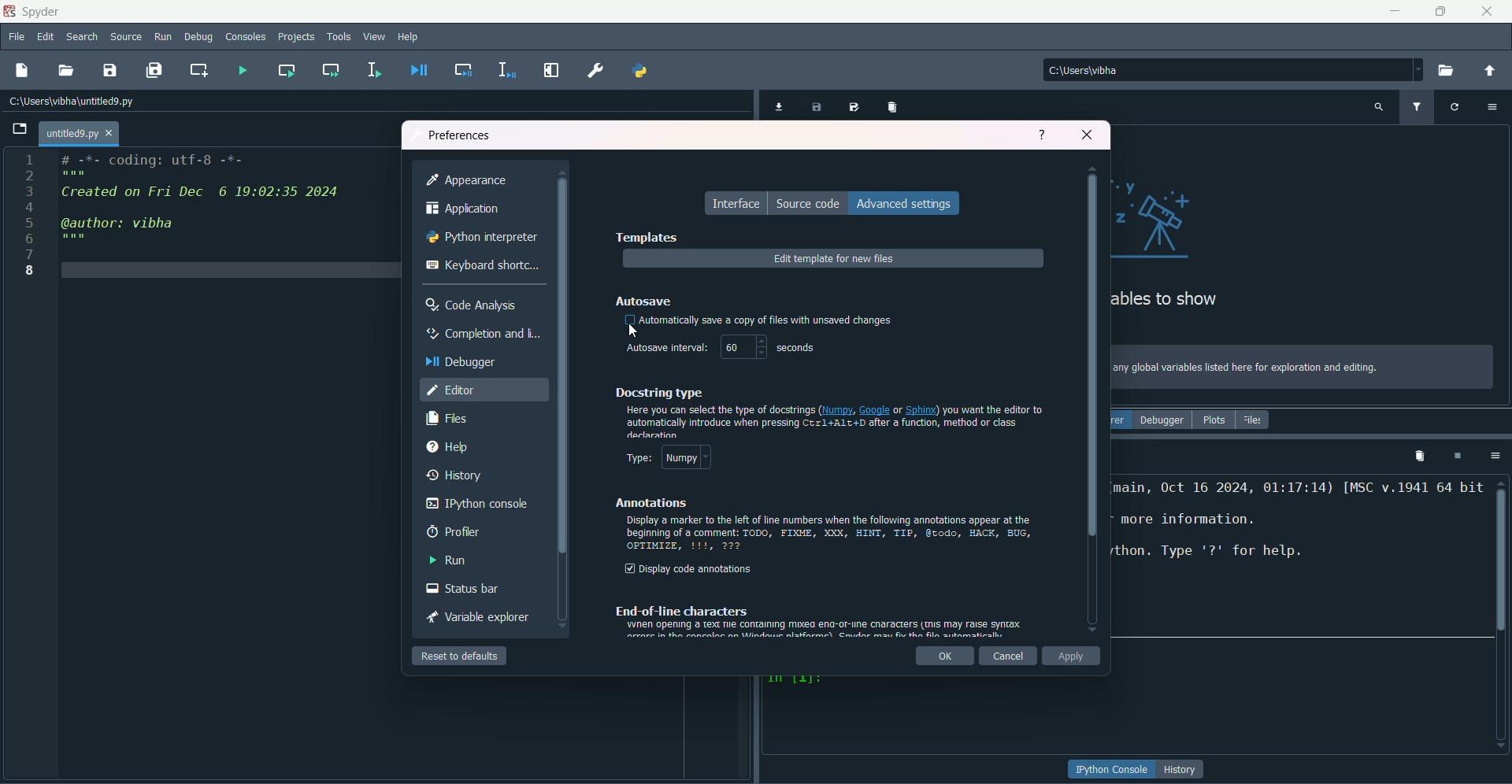  Describe the element at coordinates (450, 560) in the screenshot. I see `run` at that location.